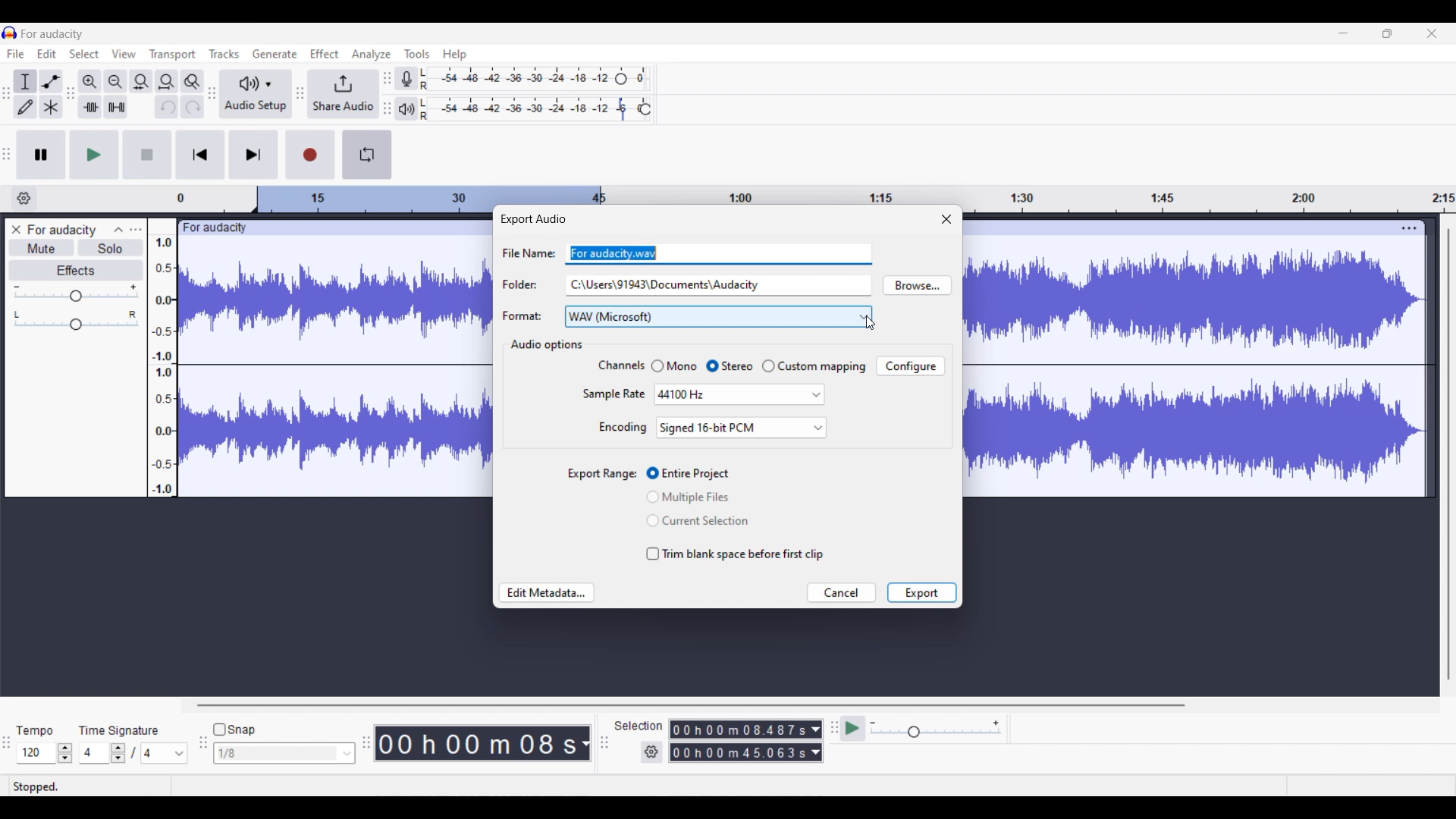  I want to click on Track settings, so click(1409, 227).